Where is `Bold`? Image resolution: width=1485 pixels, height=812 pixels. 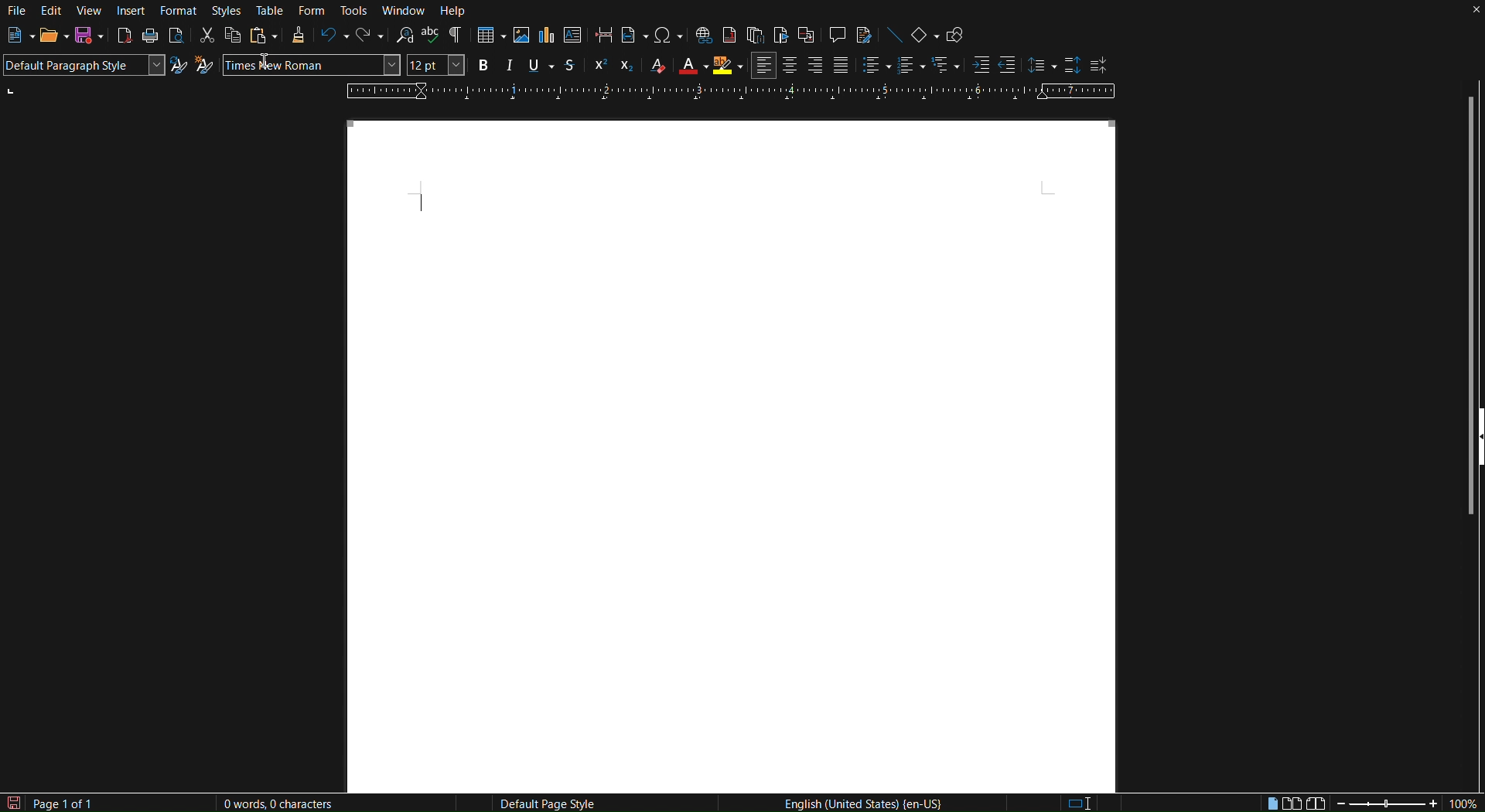 Bold is located at coordinates (482, 65).